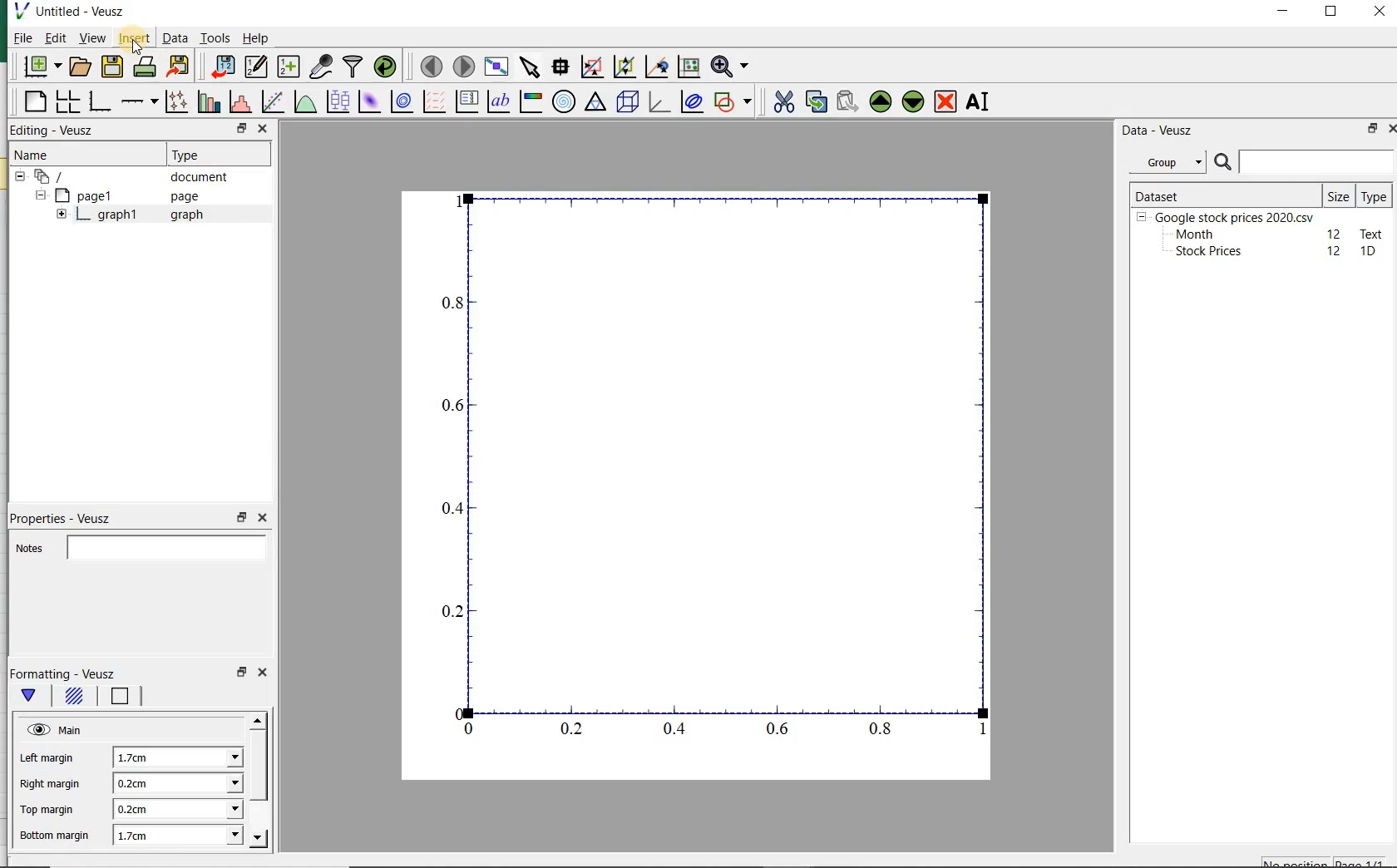 Image resolution: width=1397 pixels, height=868 pixels. Describe the element at coordinates (975, 104) in the screenshot. I see `renames the selected widget` at that location.